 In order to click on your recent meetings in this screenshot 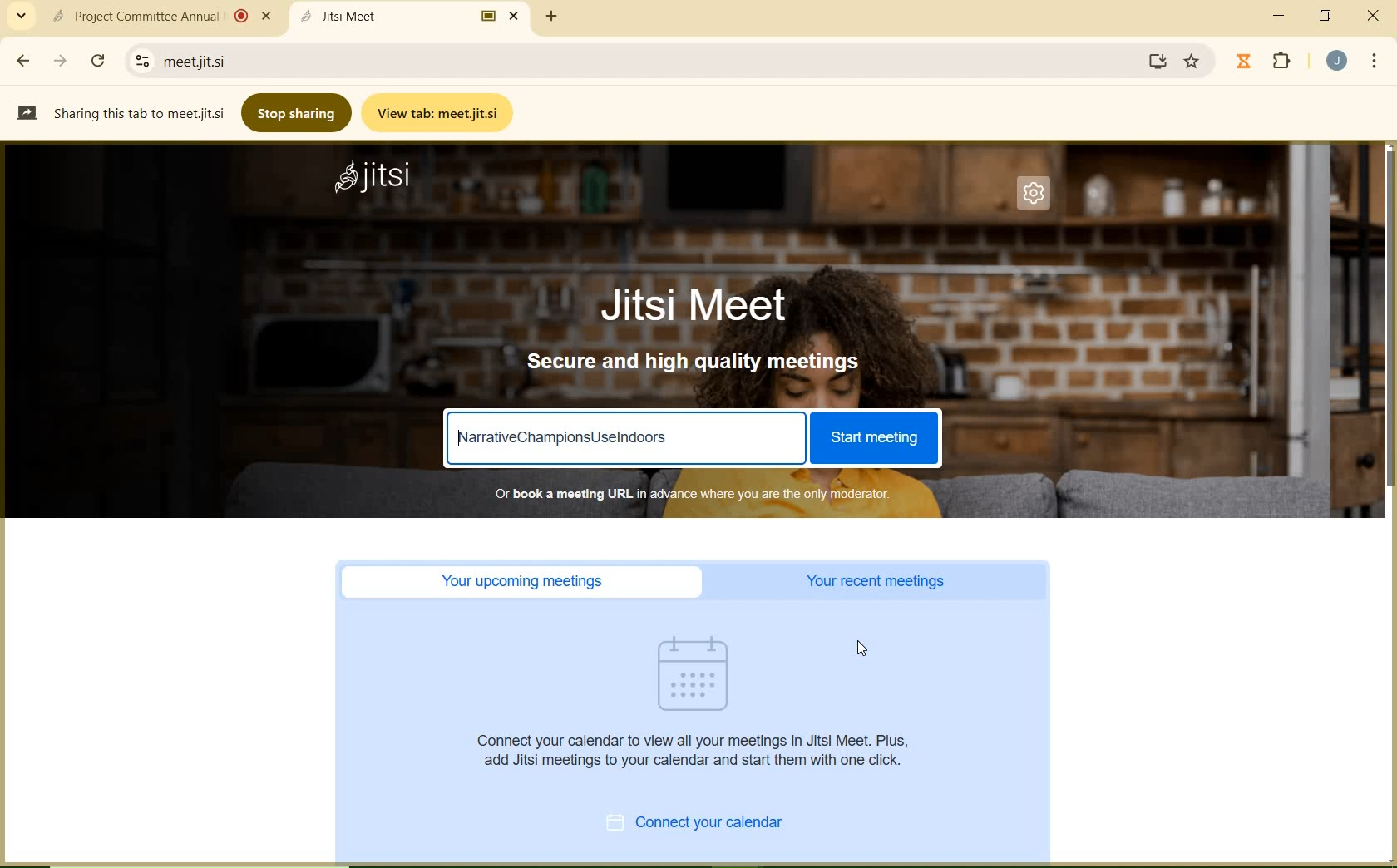, I will do `click(873, 579)`.